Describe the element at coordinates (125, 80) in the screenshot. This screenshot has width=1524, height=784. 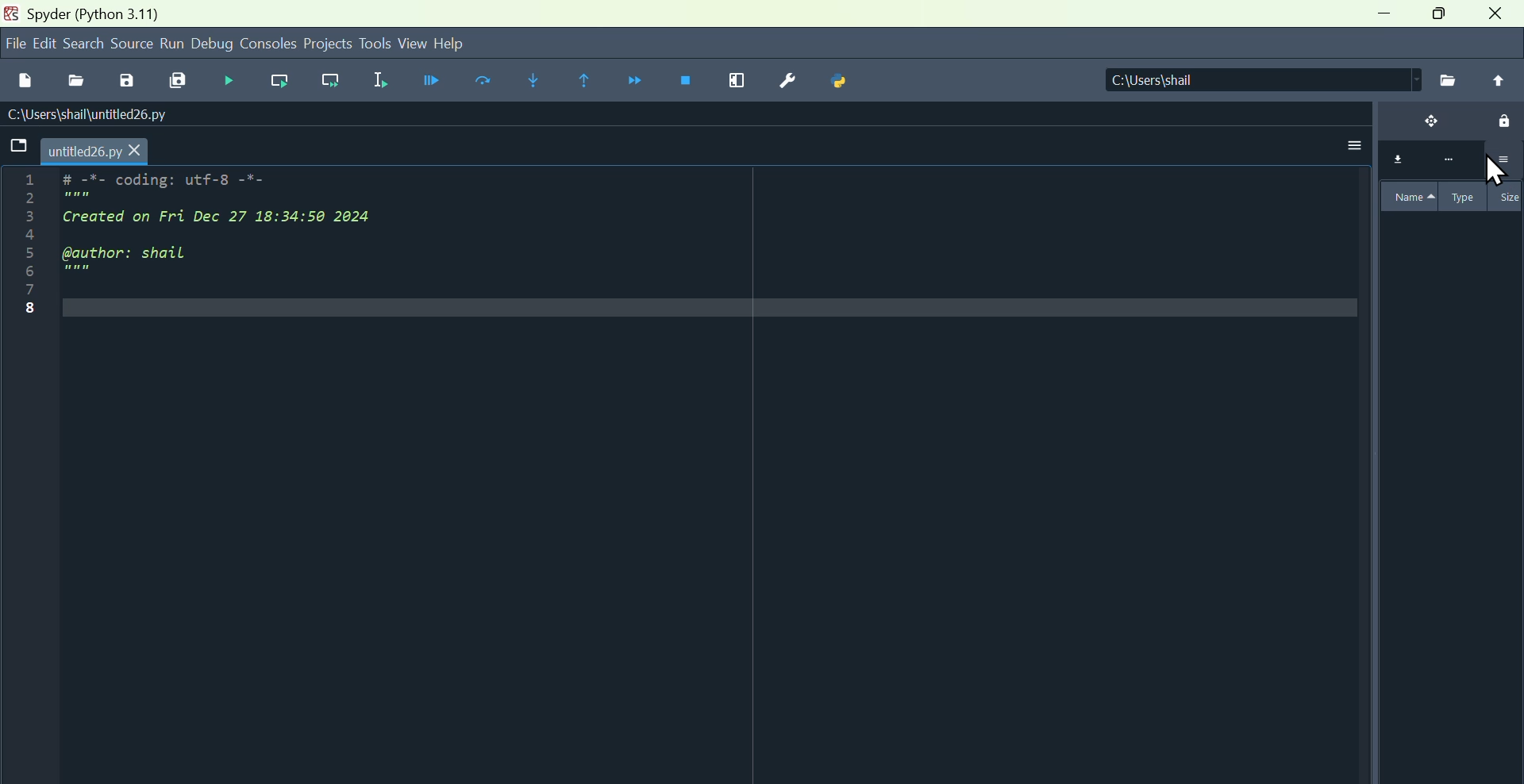
I see `Save as` at that location.